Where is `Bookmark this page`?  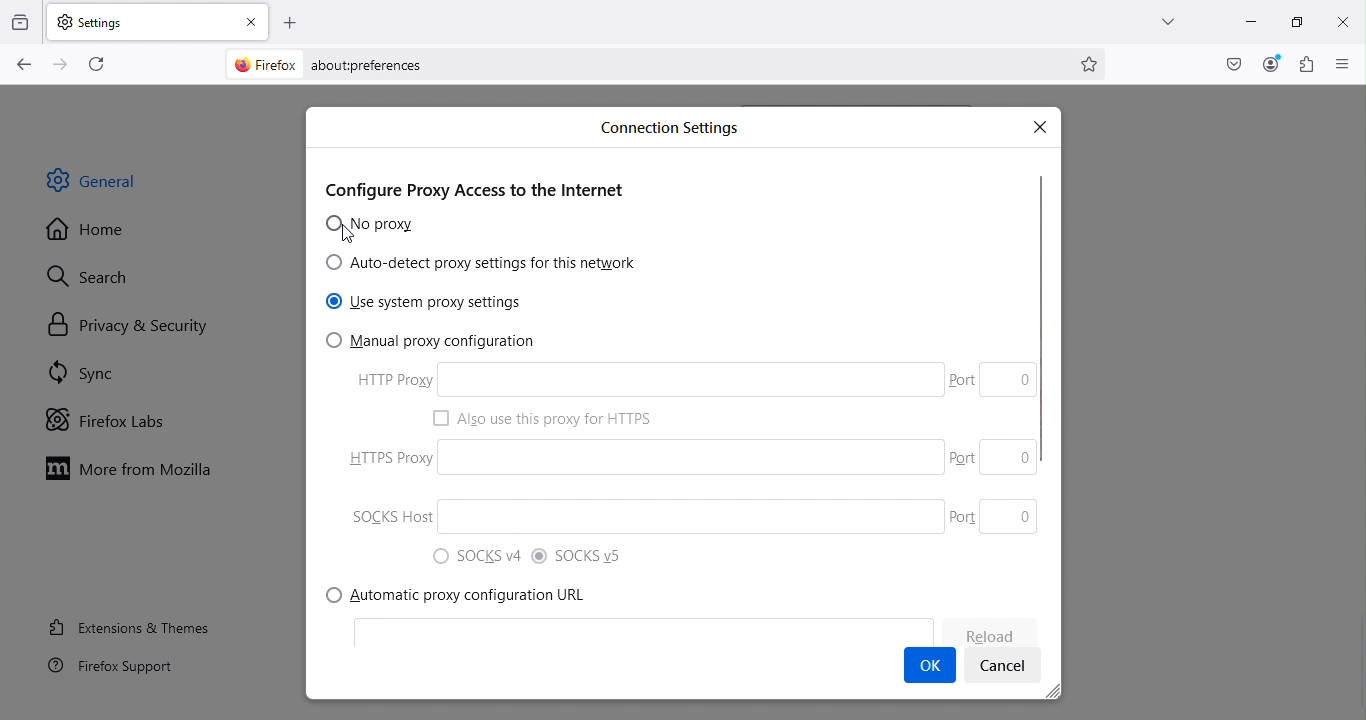
Bookmark this page is located at coordinates (1093, 66).